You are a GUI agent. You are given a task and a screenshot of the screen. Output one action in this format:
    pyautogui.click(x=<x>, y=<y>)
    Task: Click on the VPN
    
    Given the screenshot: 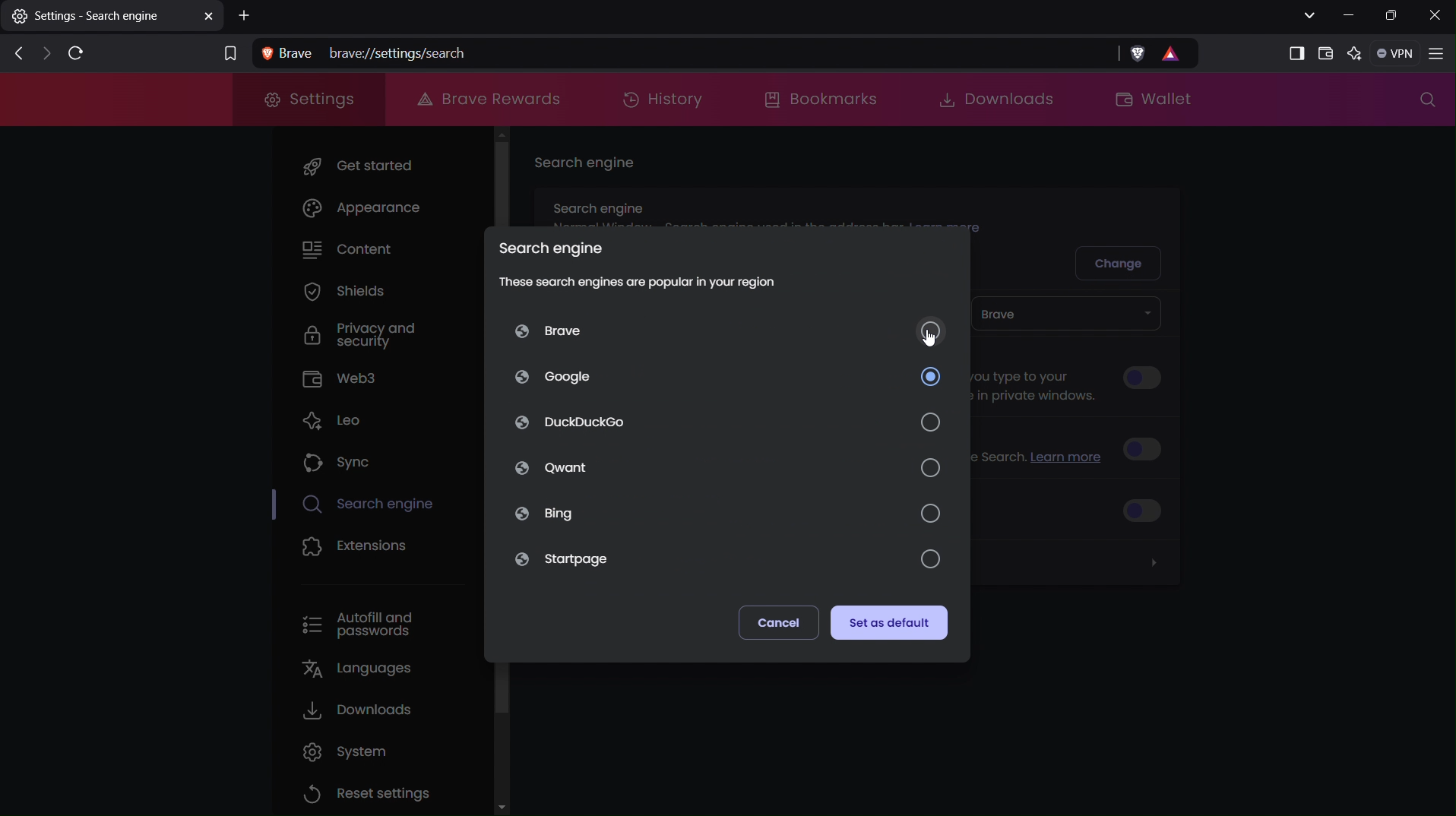 What is the action you would take?
    pyautogui.click(x=1397, y=54)
    